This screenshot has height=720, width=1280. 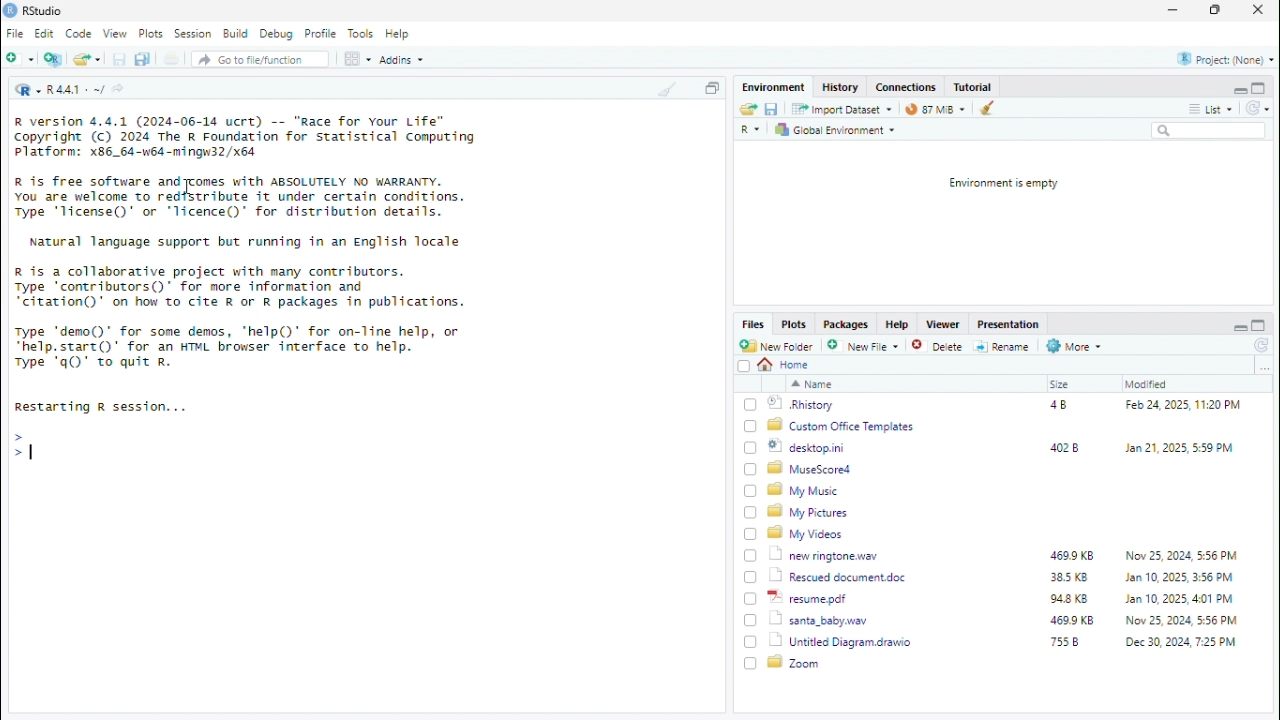 I want to click on send file, so click(x=747, y=109).